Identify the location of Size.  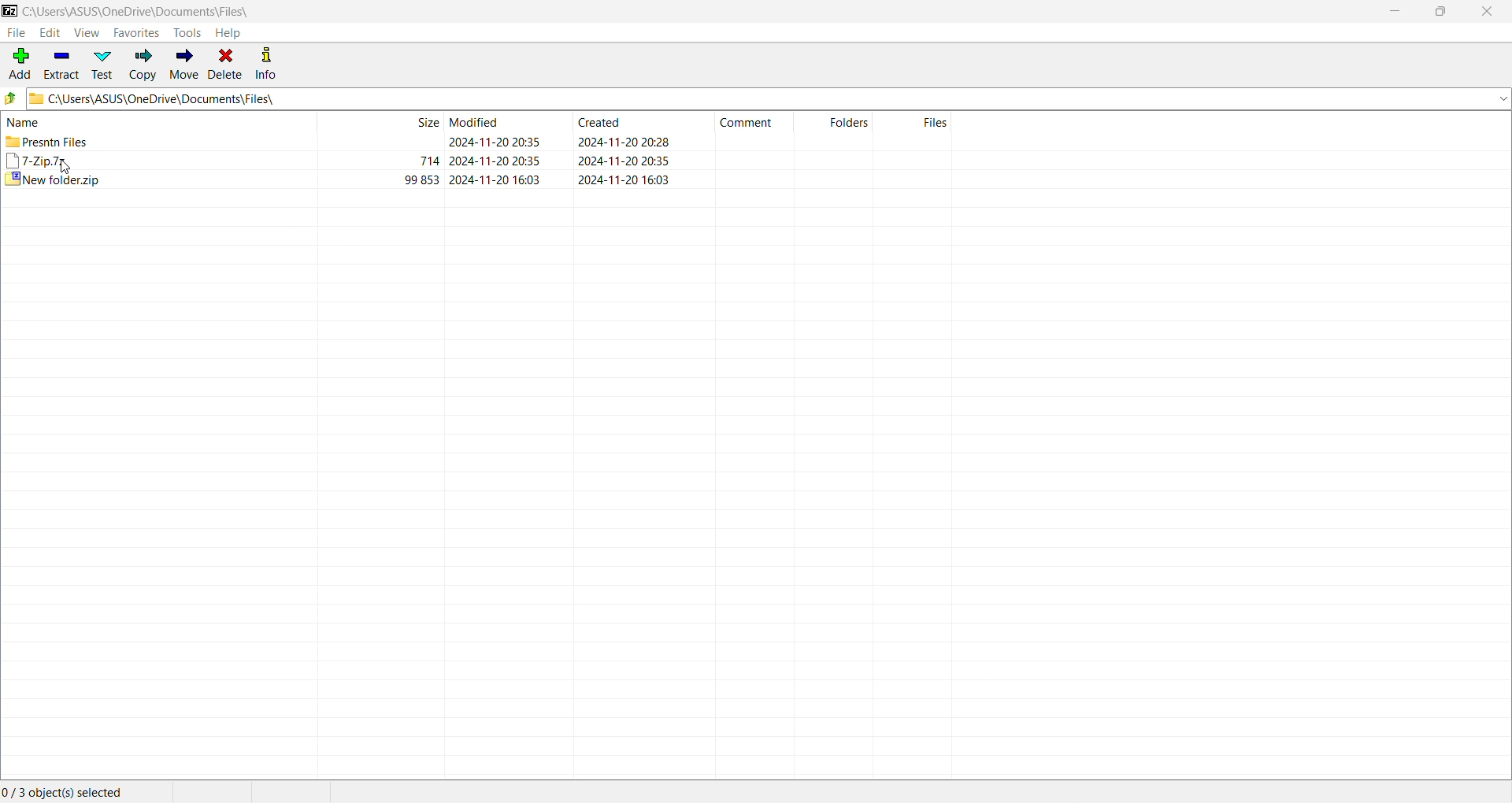
(411, 149).